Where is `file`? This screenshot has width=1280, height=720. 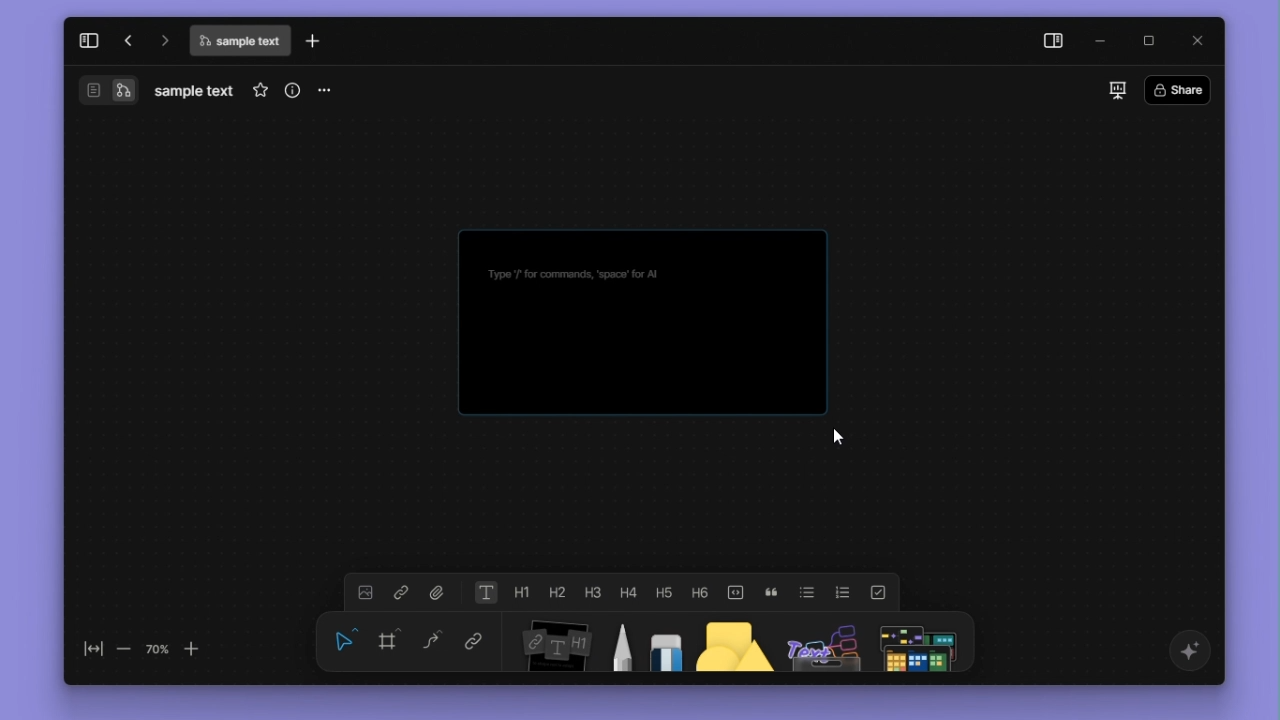 file is located at coordinates (437, 592).